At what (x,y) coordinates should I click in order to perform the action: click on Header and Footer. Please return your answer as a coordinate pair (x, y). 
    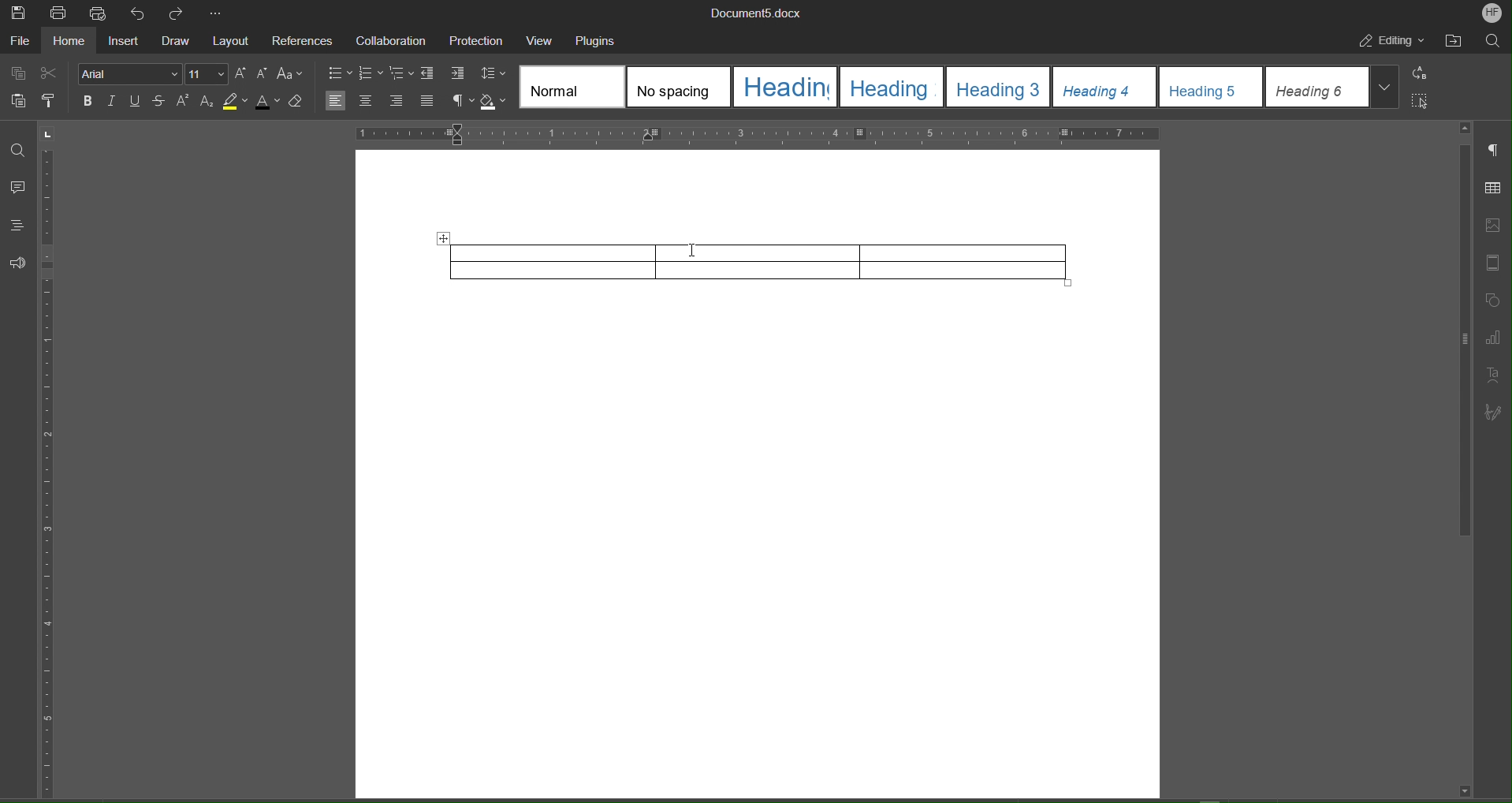
    Looking at the image, I should click on (1495, 263).